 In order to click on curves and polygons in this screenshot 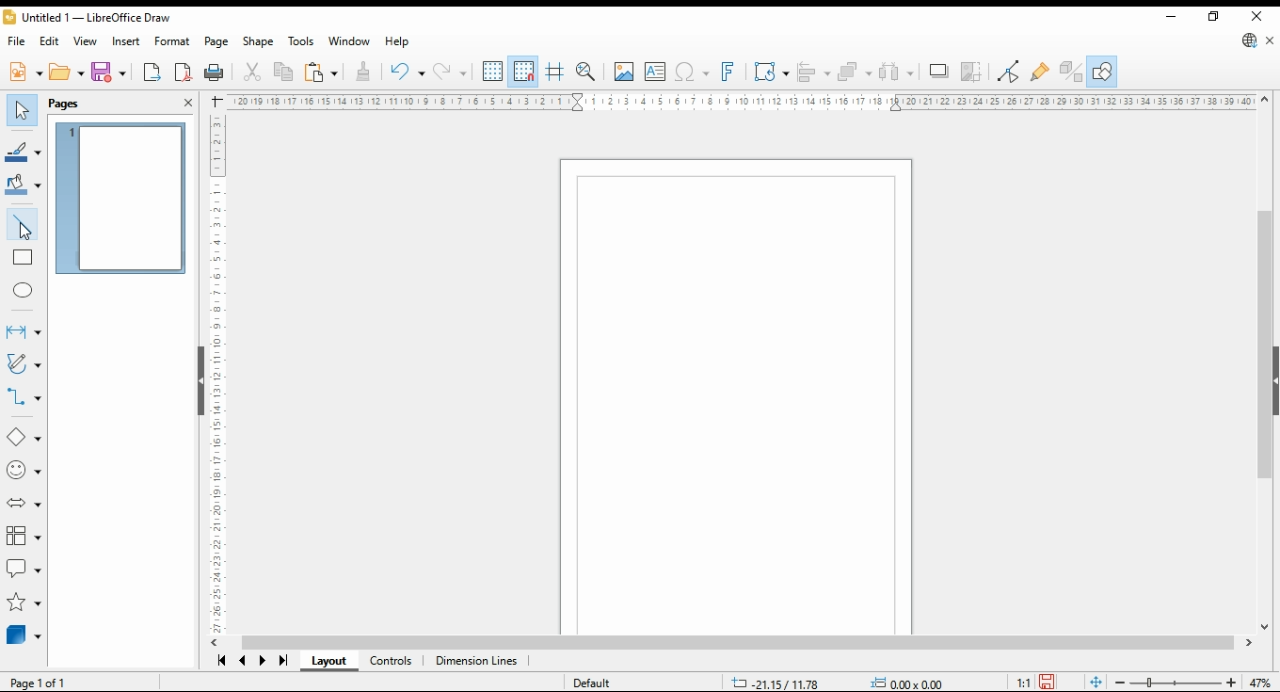, I will do `click(22, 365)`.